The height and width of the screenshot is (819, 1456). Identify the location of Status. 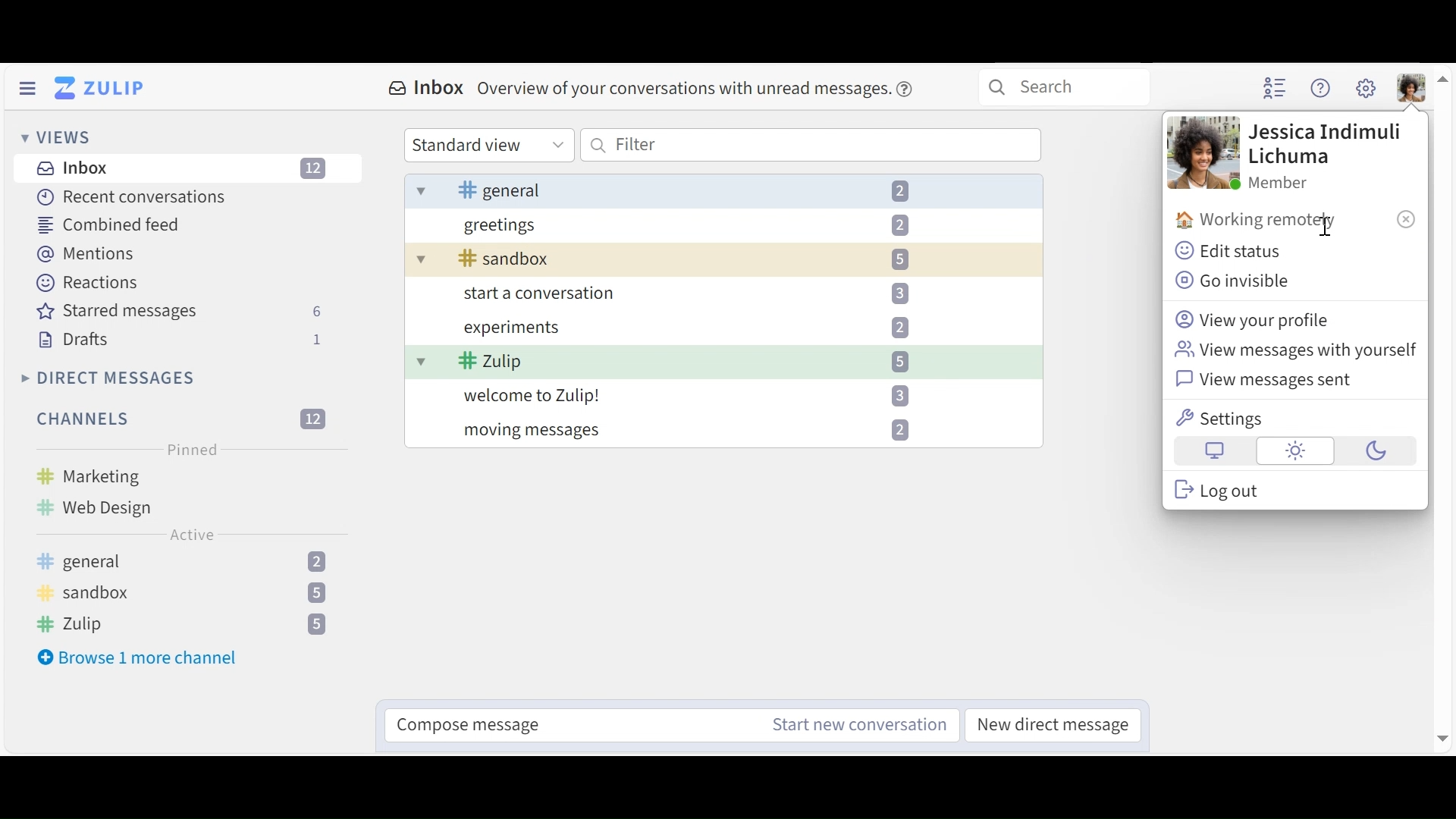
(1258, 221).